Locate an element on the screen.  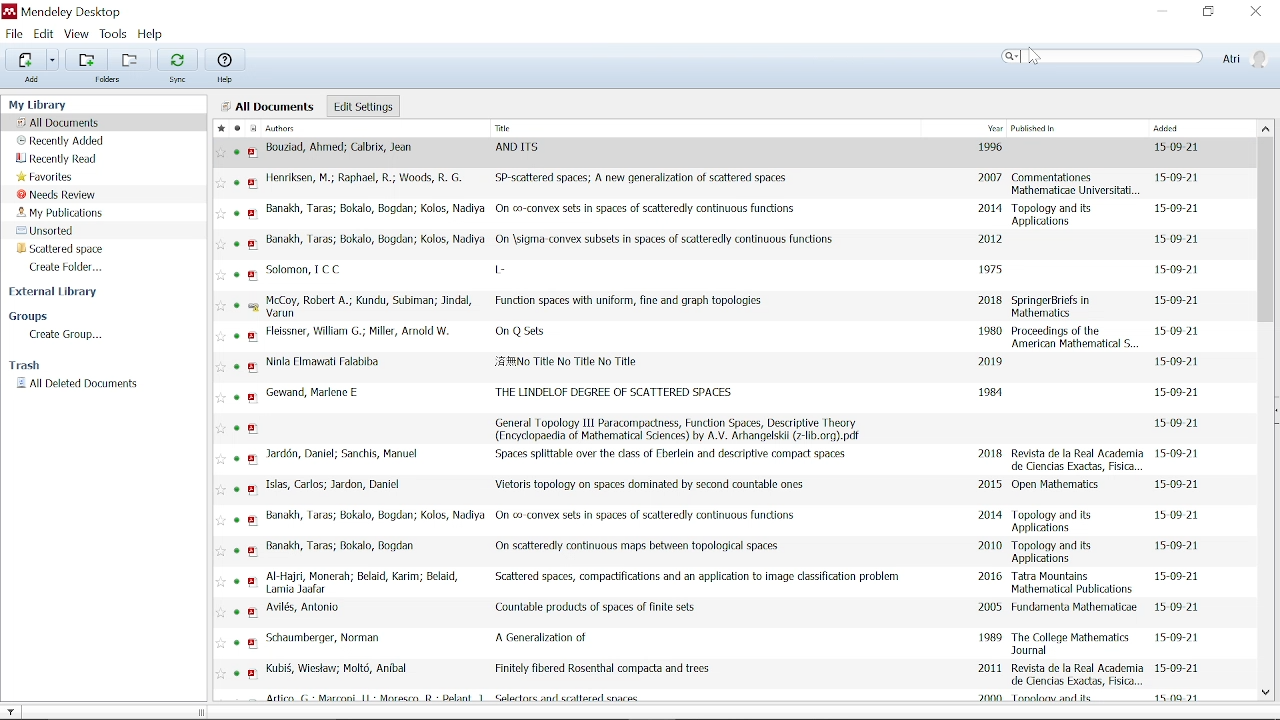
Add to favorite is located at coordinates (220, 153).